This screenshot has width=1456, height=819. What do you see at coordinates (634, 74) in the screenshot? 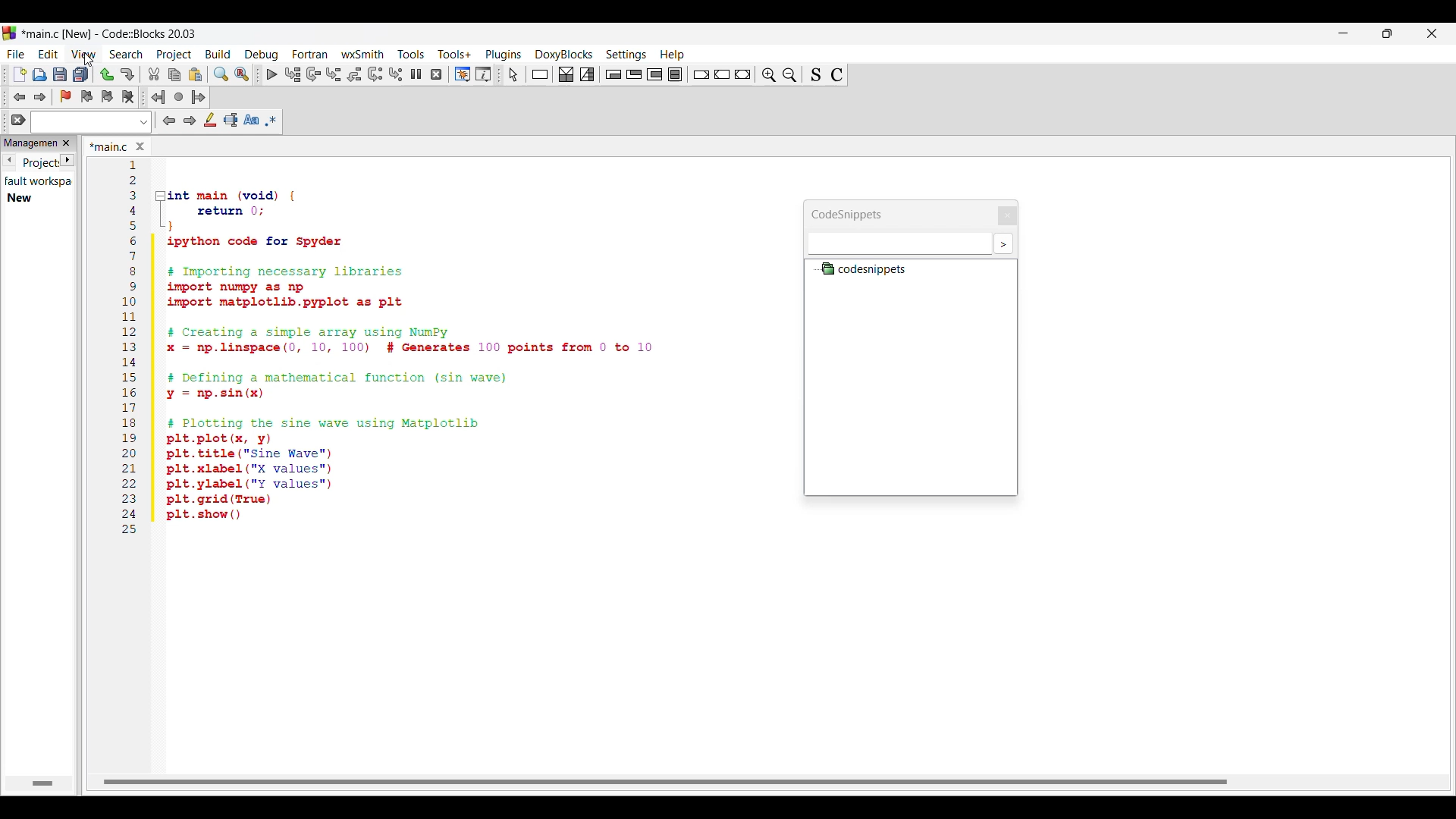
I see `Exit condition loop` at bounding box center [634, 74].